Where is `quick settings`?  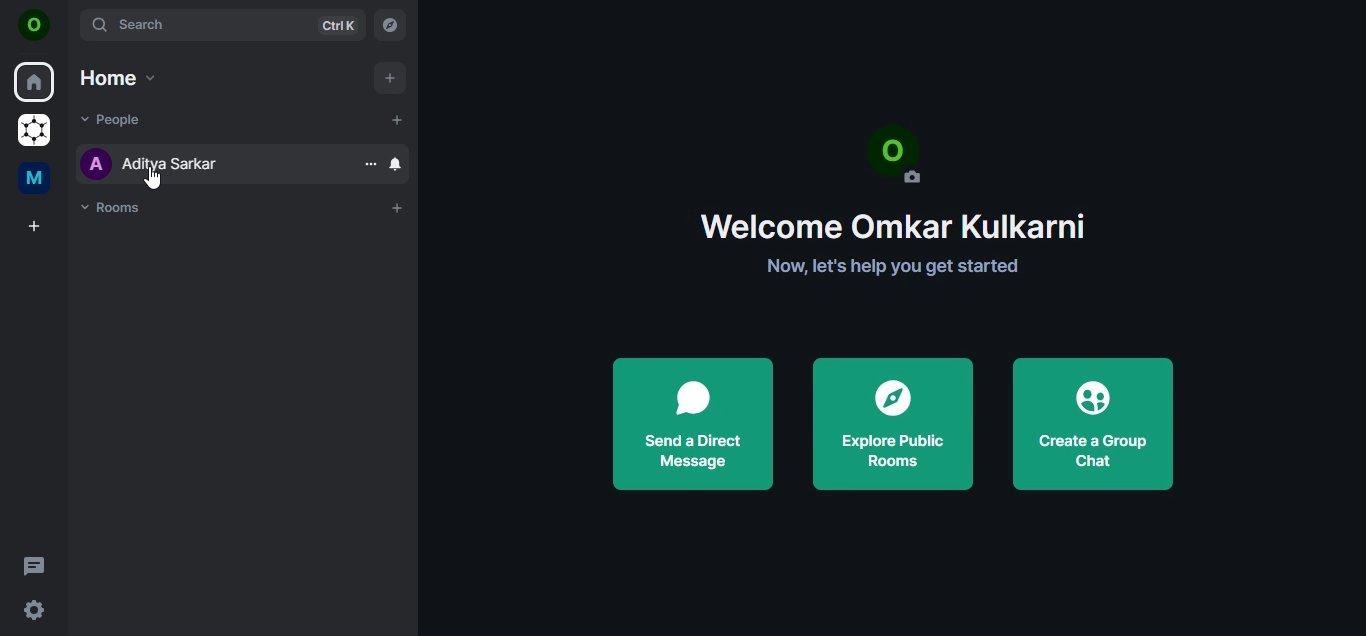 quick settings is located at coordinates (36, 611).